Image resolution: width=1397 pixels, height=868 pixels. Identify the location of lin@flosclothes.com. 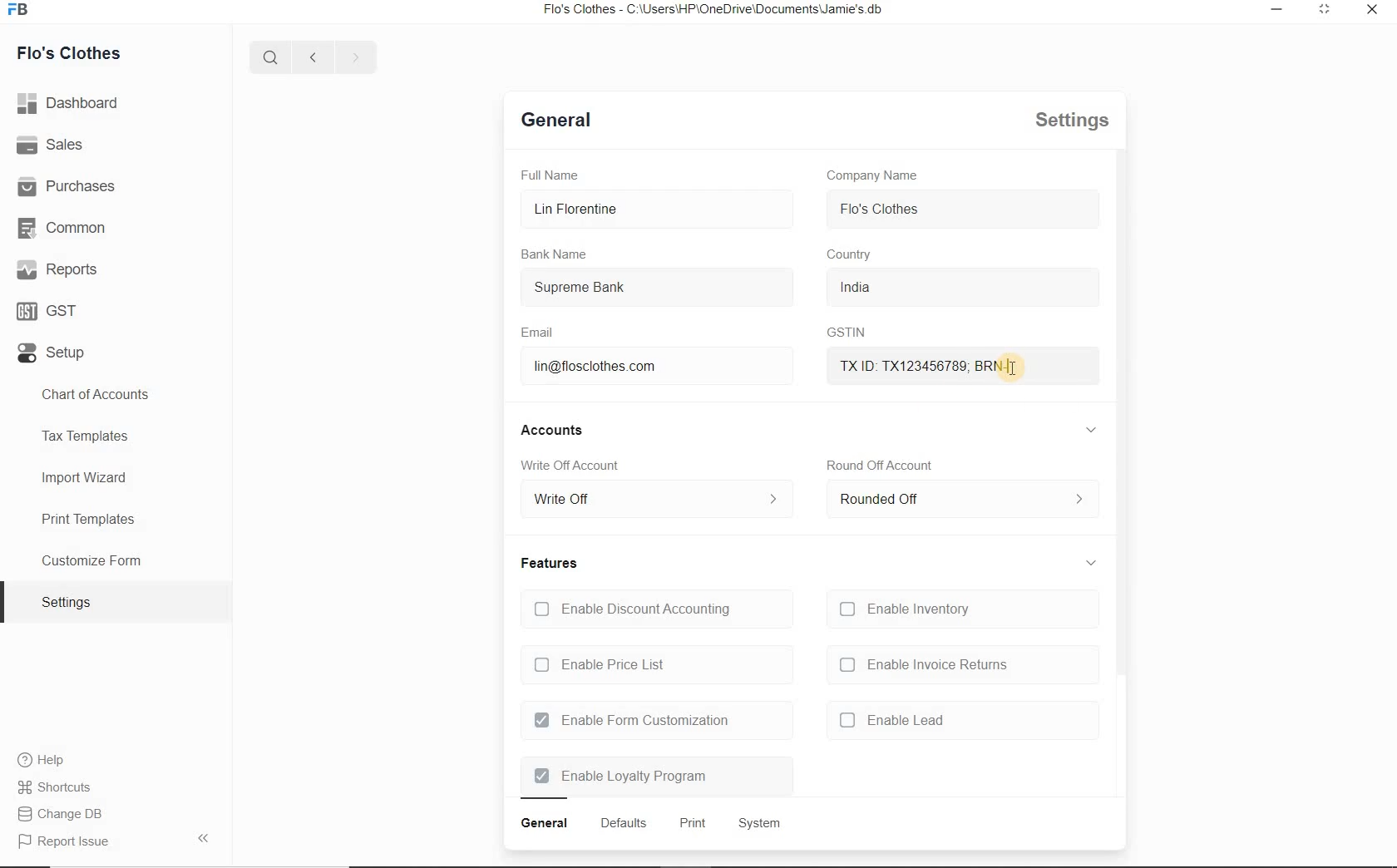
(617, 367).